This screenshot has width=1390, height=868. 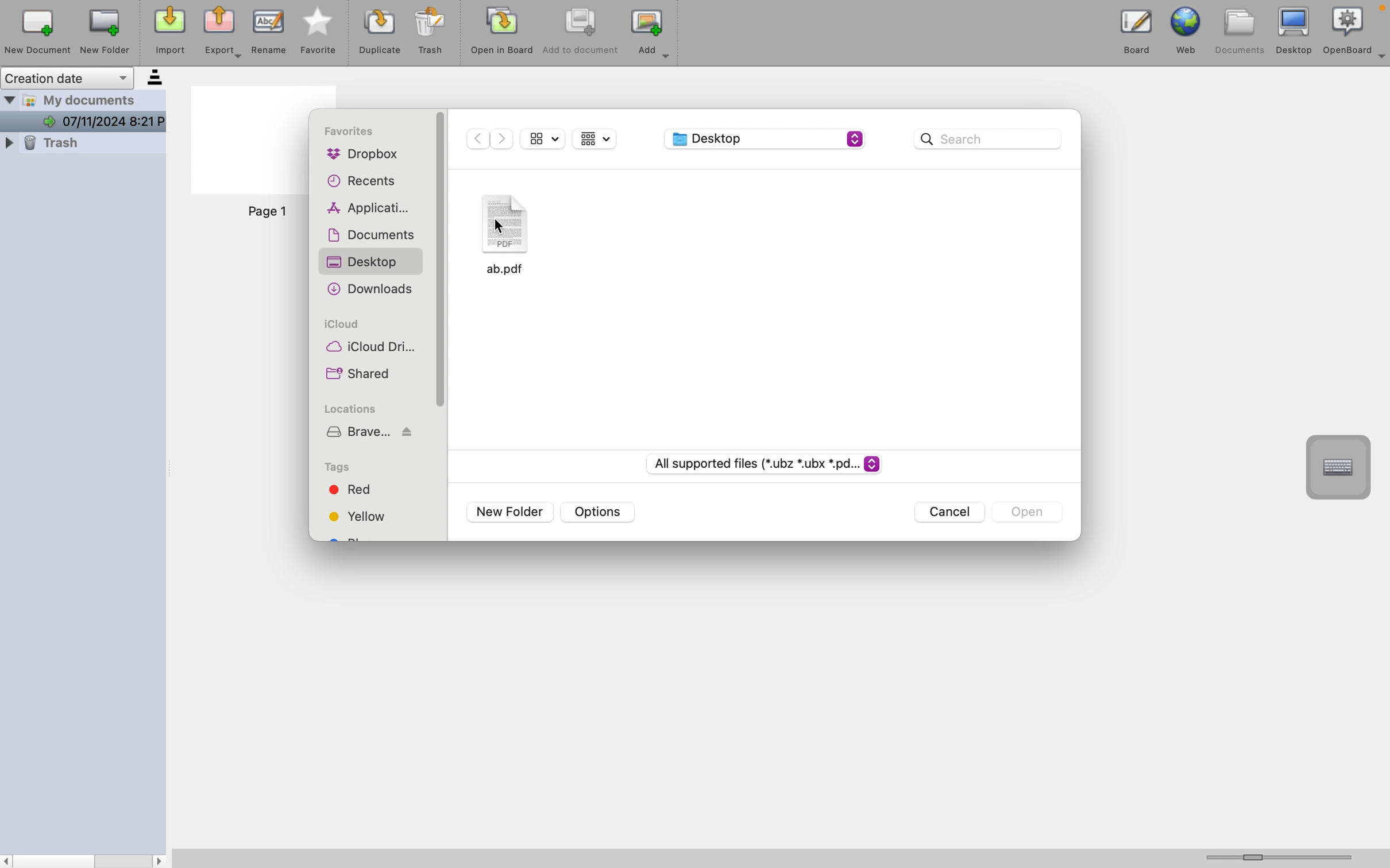 I want to click on file types, so click(x=766, y=463).